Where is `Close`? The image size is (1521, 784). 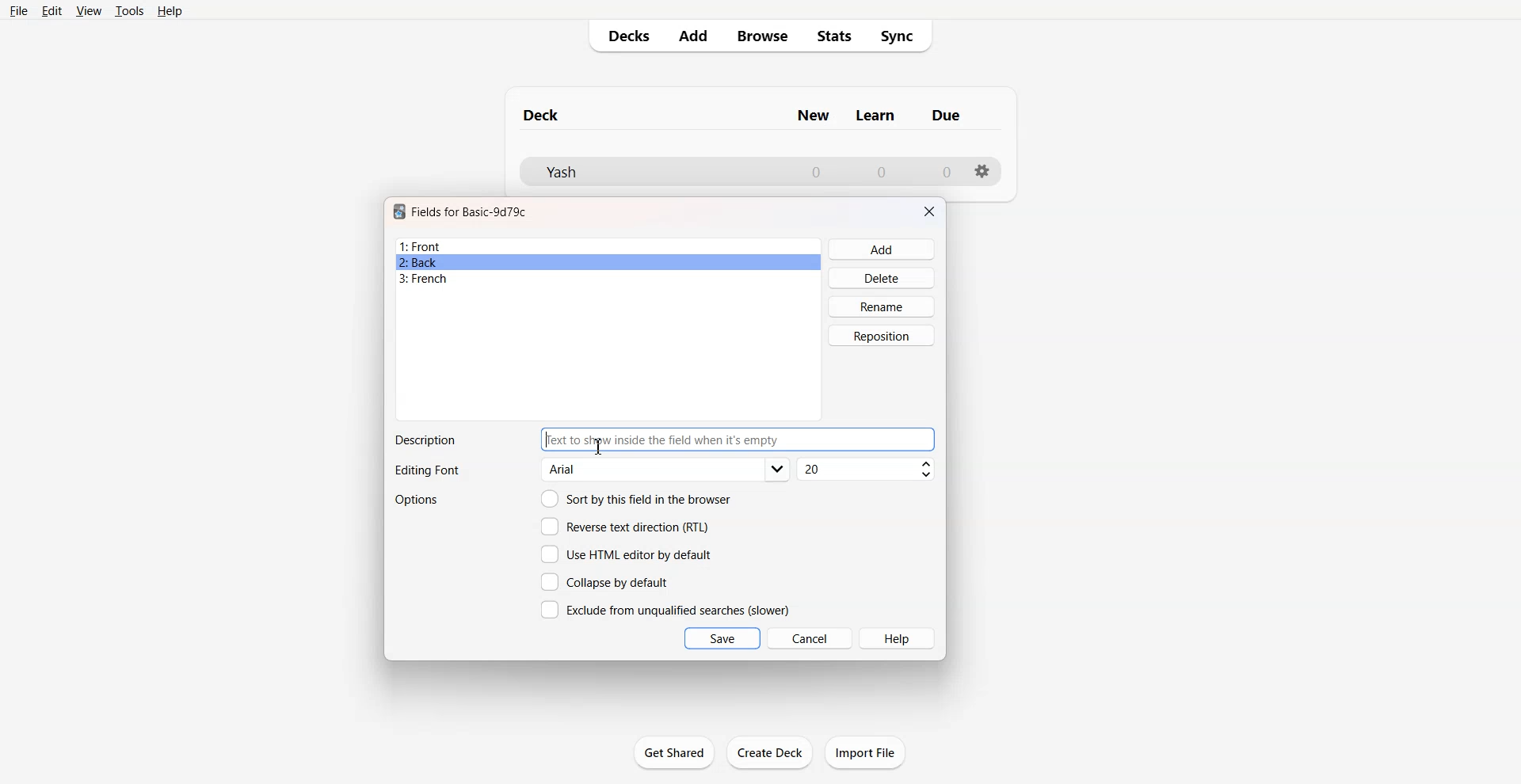
Close is located at coordinates (929, 211).